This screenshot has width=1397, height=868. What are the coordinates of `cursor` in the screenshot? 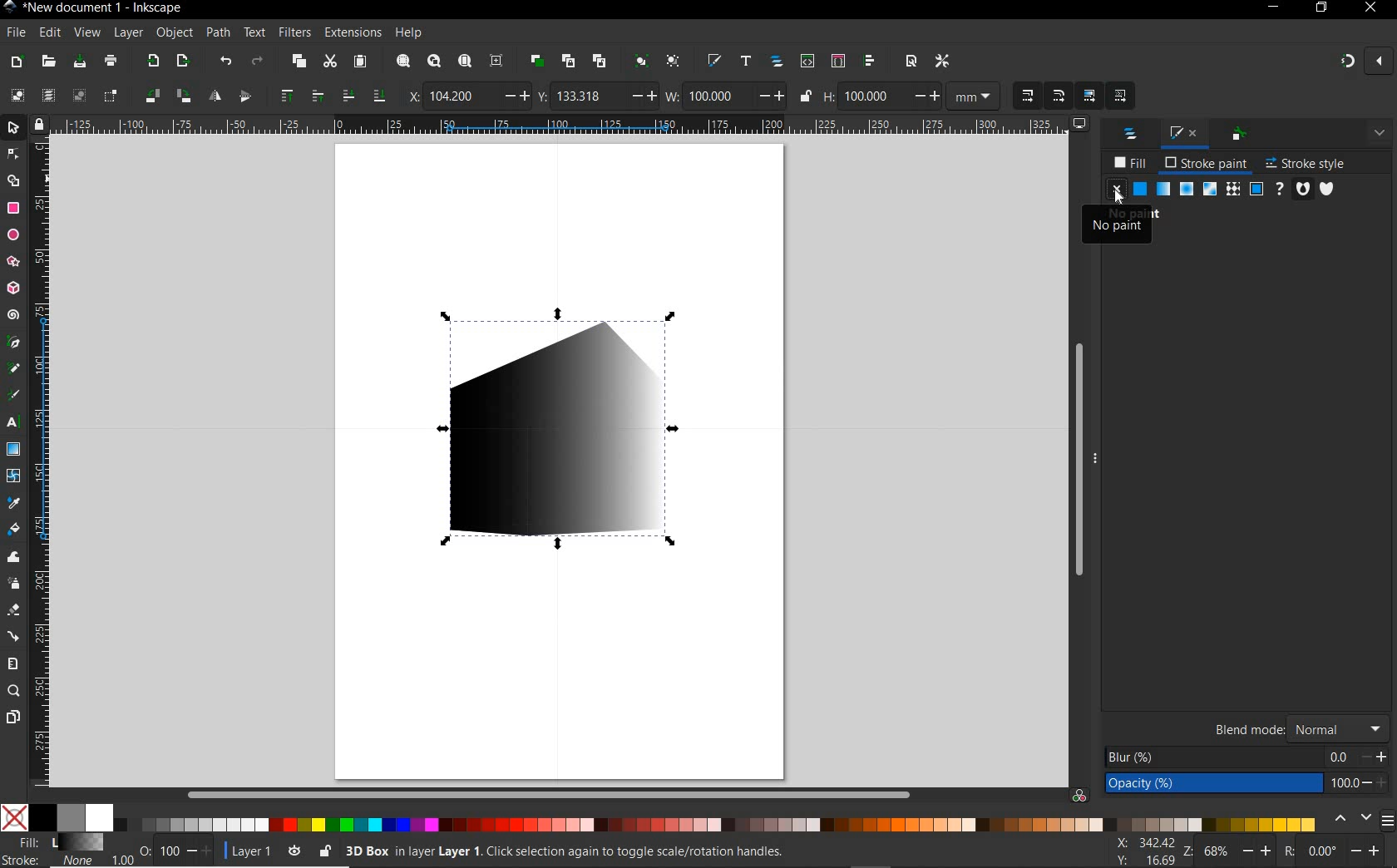 It's located at (1118, 200).